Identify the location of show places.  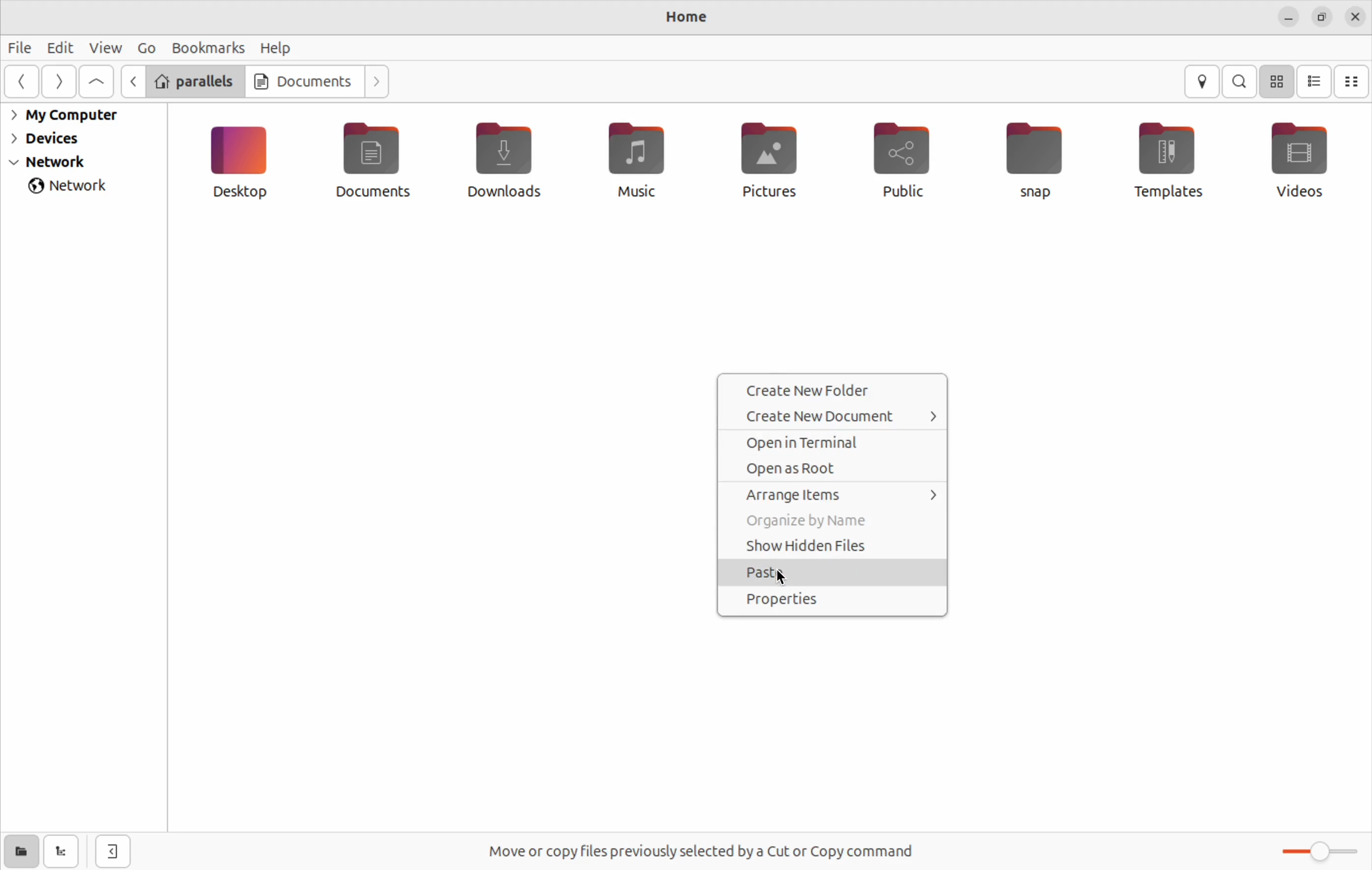
(18, 849).